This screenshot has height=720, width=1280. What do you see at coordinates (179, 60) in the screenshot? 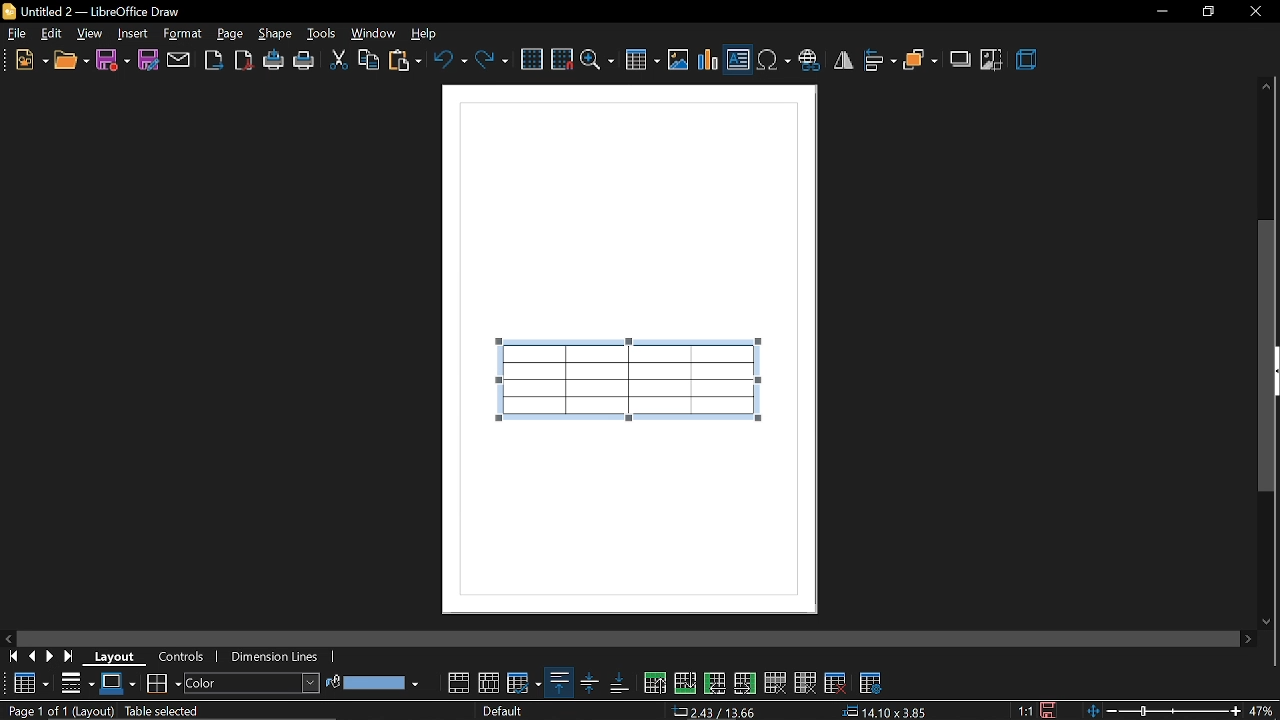
I see `attach` at bounding box center [179, 60].